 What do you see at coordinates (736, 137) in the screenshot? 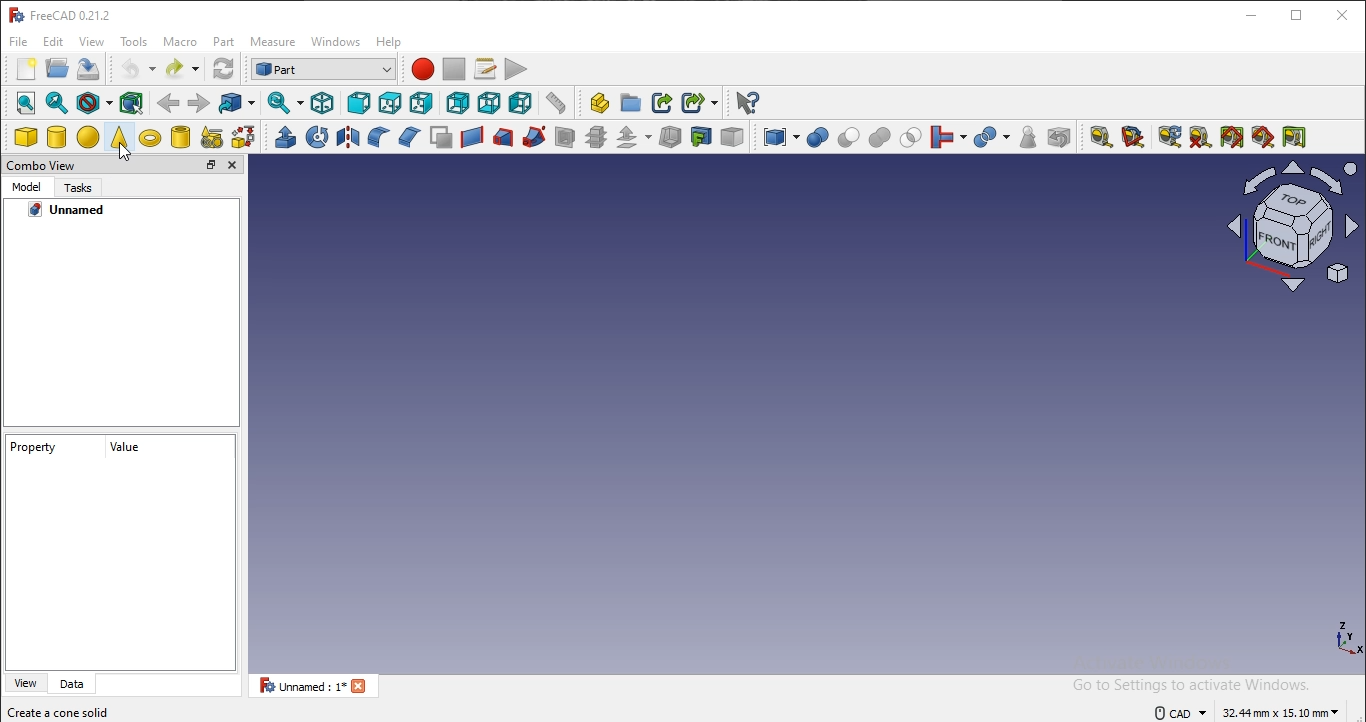
I see `color per face` at bounding box center [736, 137].